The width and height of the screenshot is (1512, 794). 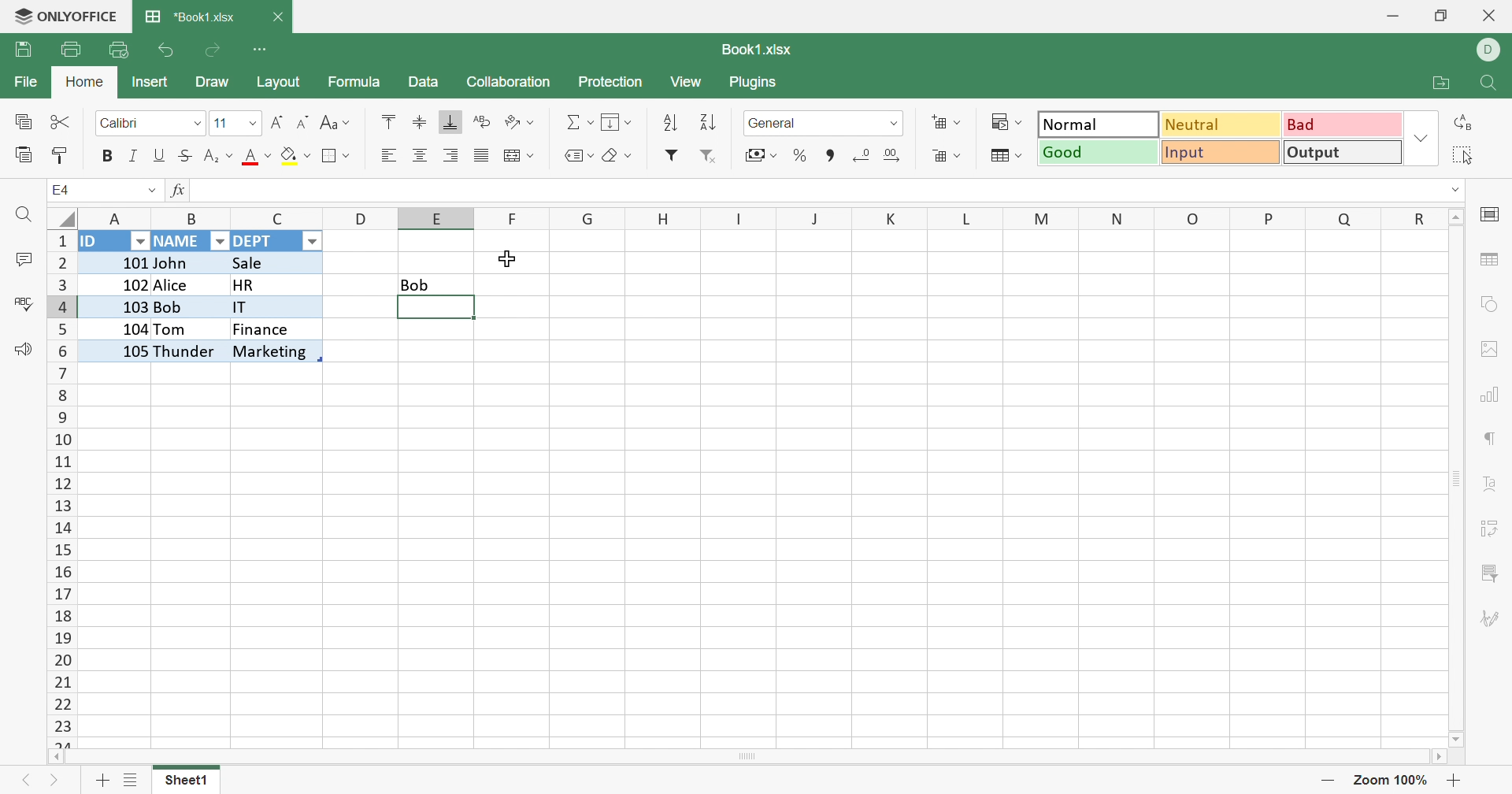 What do you see at coordinates (421, 123) in the screenshot?
I see `Align Middle` at bounding box center [421, 123].